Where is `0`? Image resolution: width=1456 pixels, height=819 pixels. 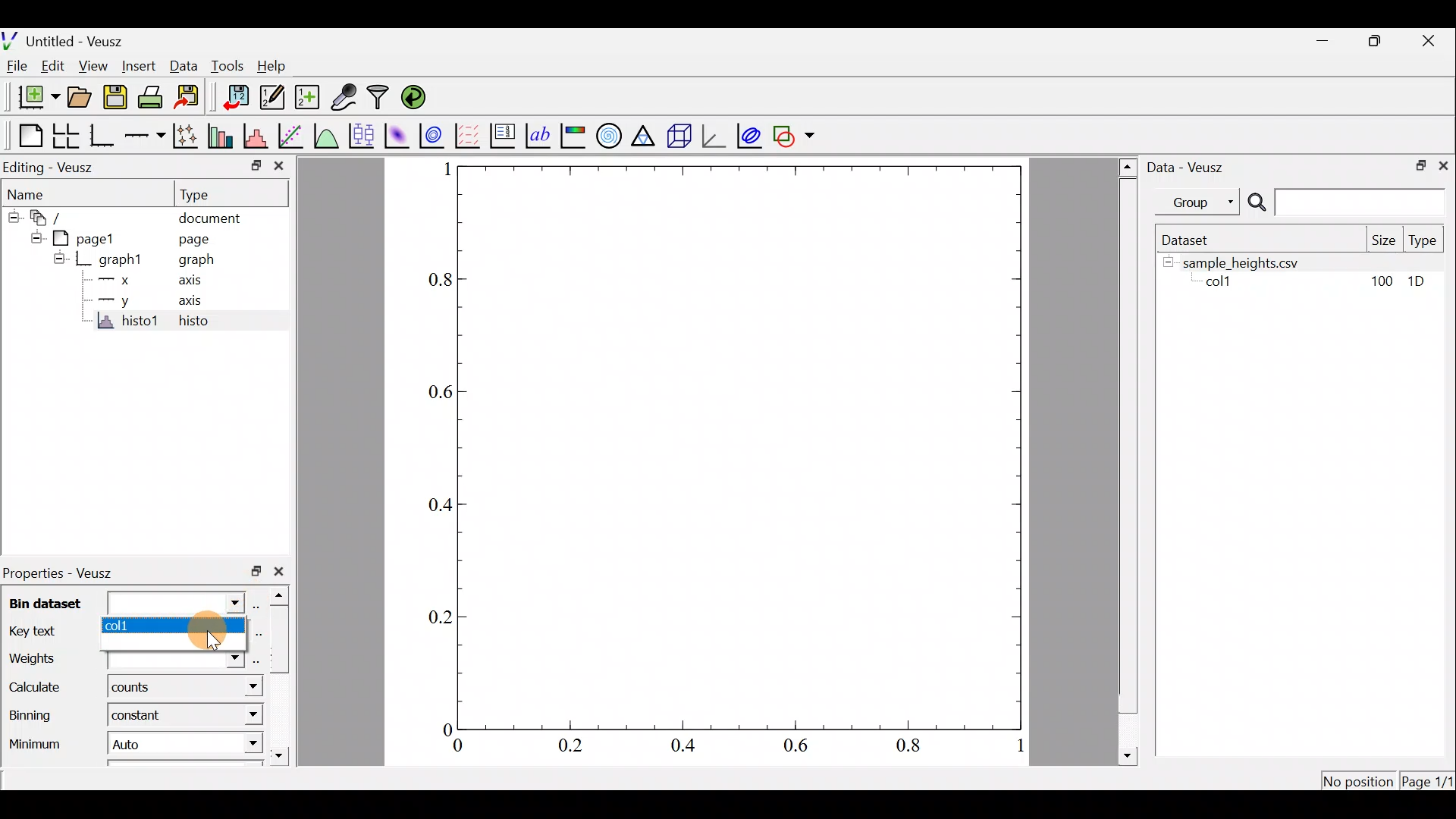 0 is located at coordinates (455, 746).